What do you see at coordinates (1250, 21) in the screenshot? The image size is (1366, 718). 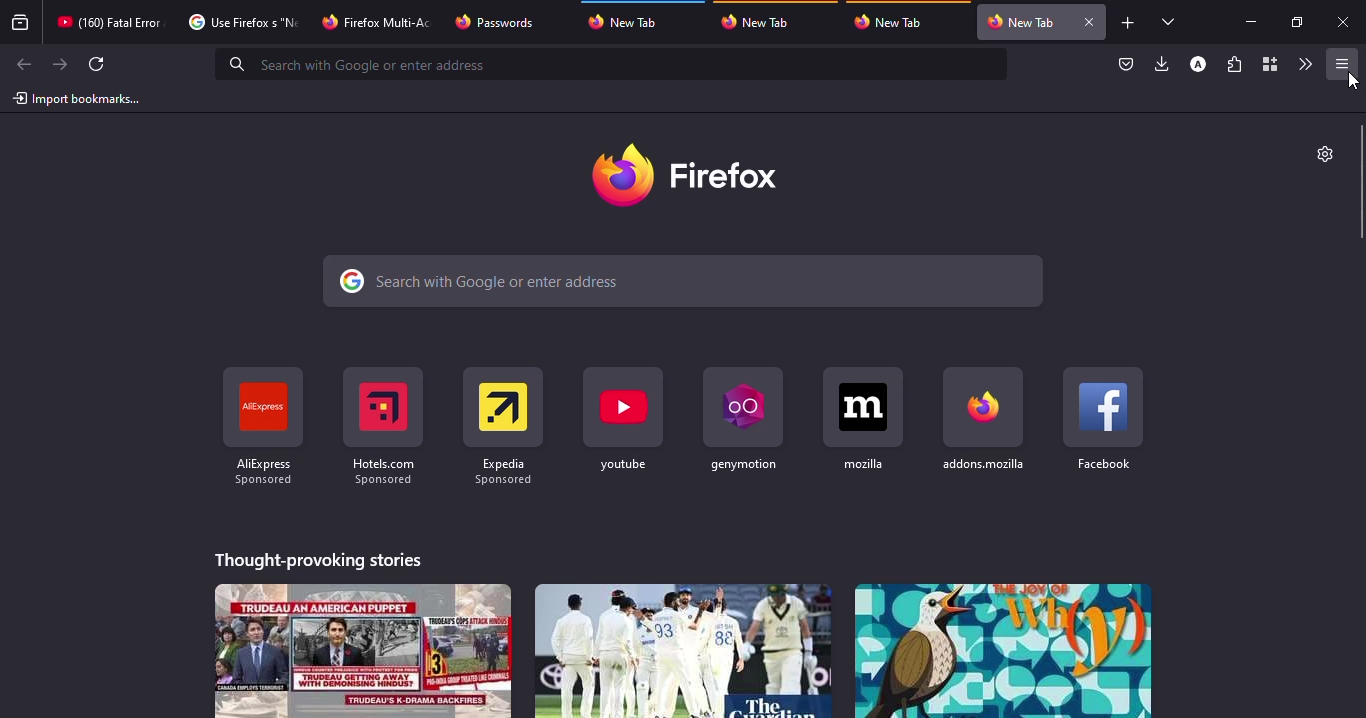 I see `minimize` at bounding box center [1250, 21].